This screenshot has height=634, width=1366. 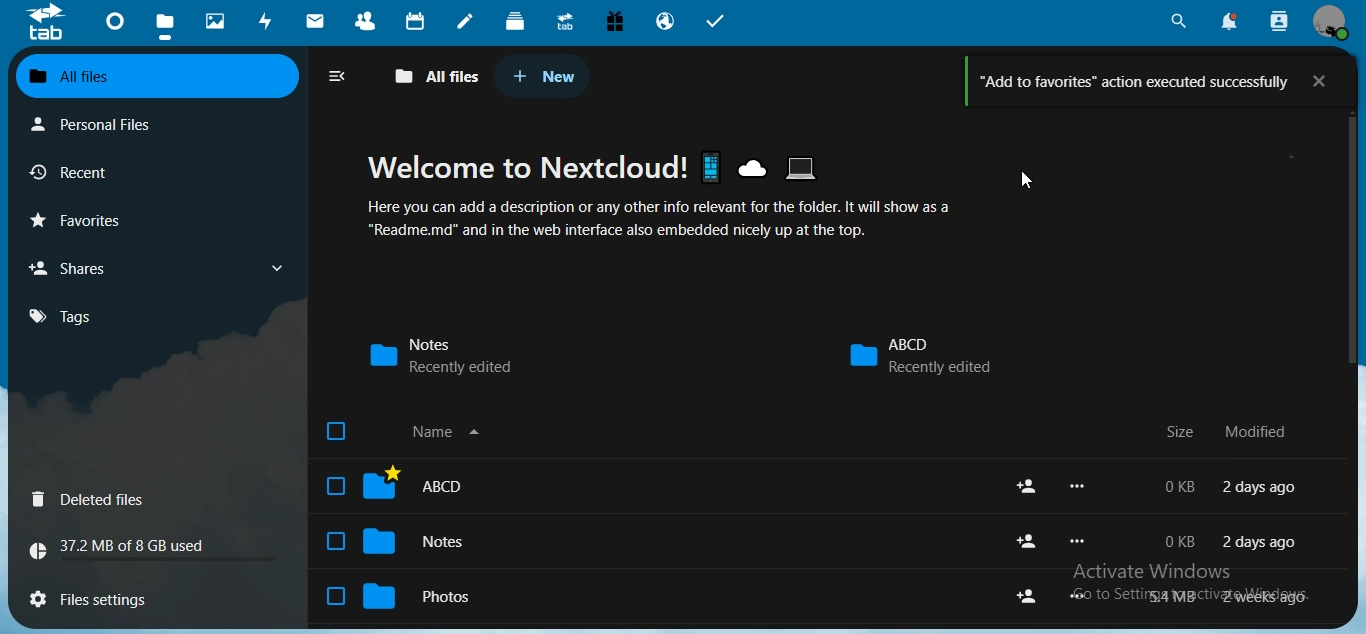 What do you see at coordinates (267, 20) in the screenshot?
I see `activity` at bounding box center [267, 20].